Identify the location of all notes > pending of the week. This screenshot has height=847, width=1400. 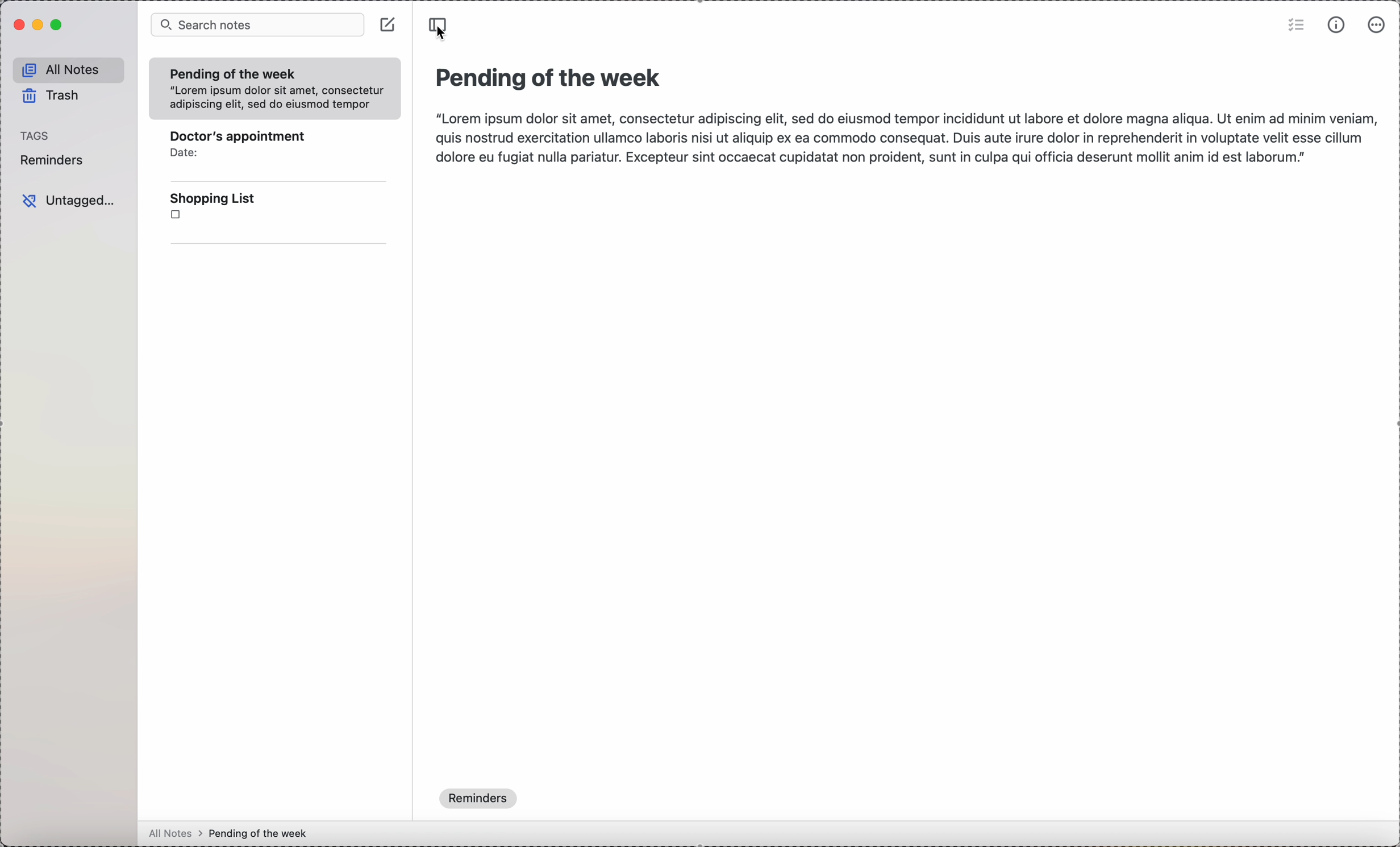
(232, 830).